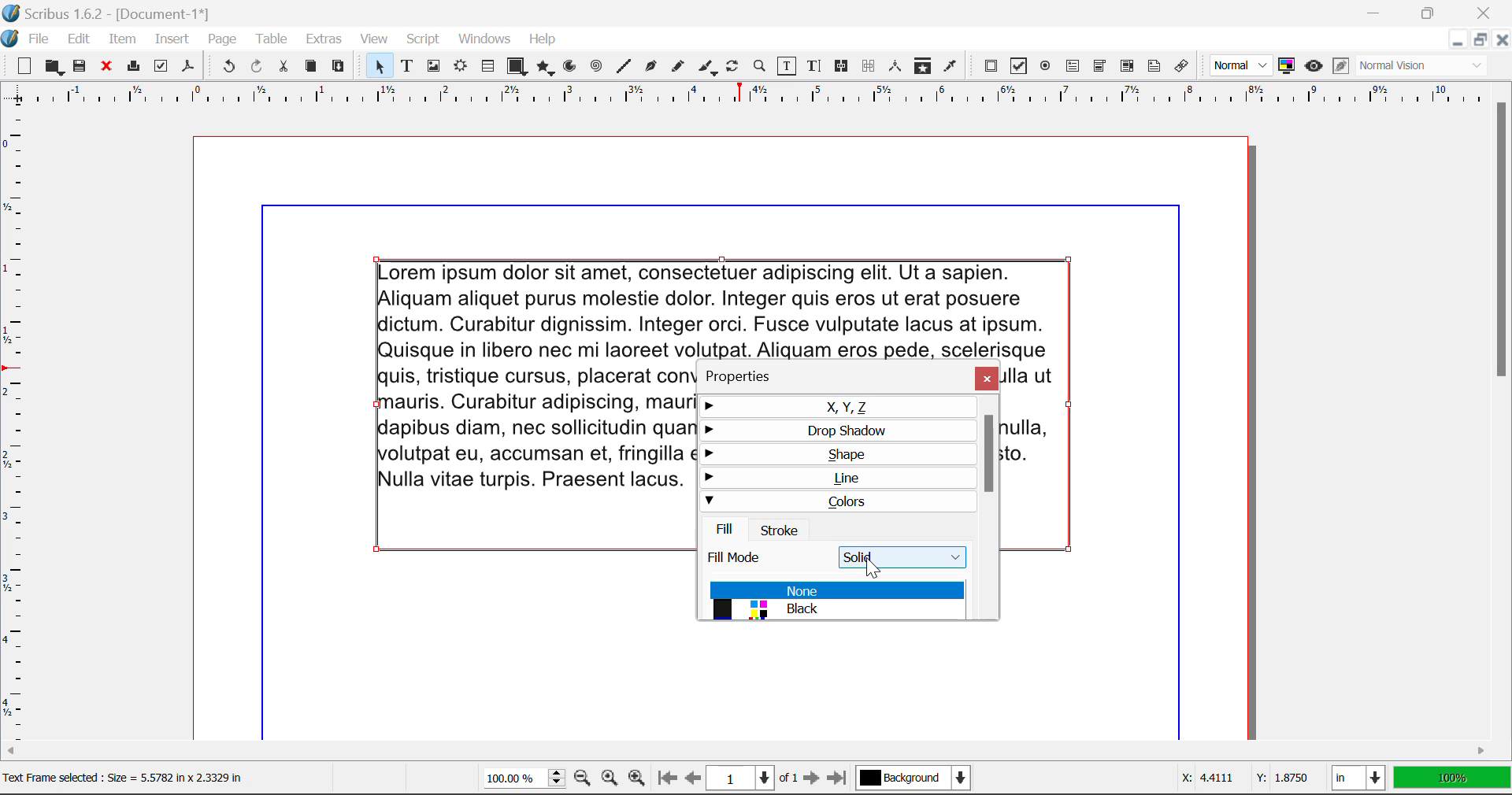 This screenshot has width=1512, height=795. Describe the element at coordinates (1241, 65) in the screenshot. I see `Preview Mode` at that location.